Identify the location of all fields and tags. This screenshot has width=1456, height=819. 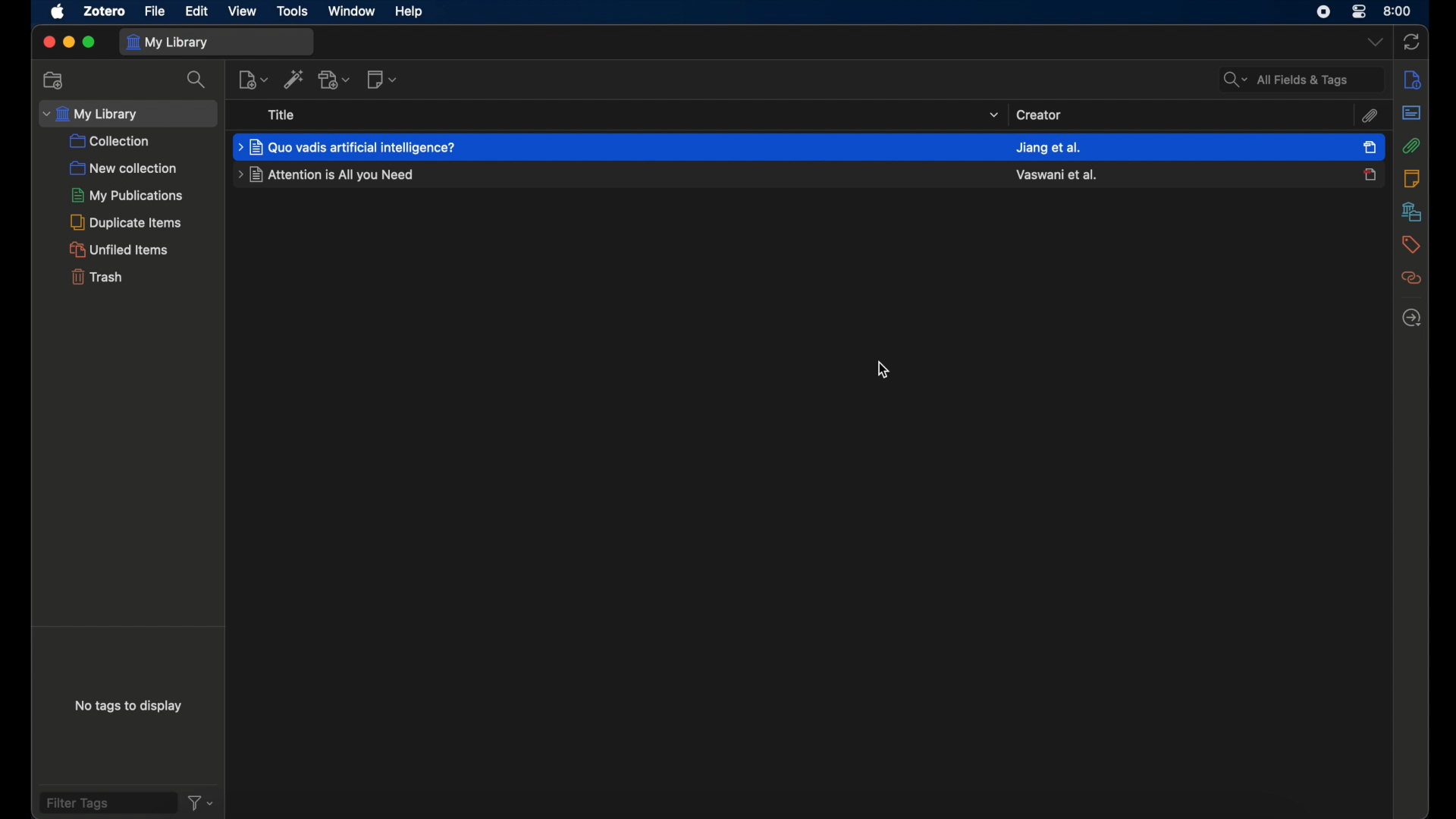
(1301, 79).